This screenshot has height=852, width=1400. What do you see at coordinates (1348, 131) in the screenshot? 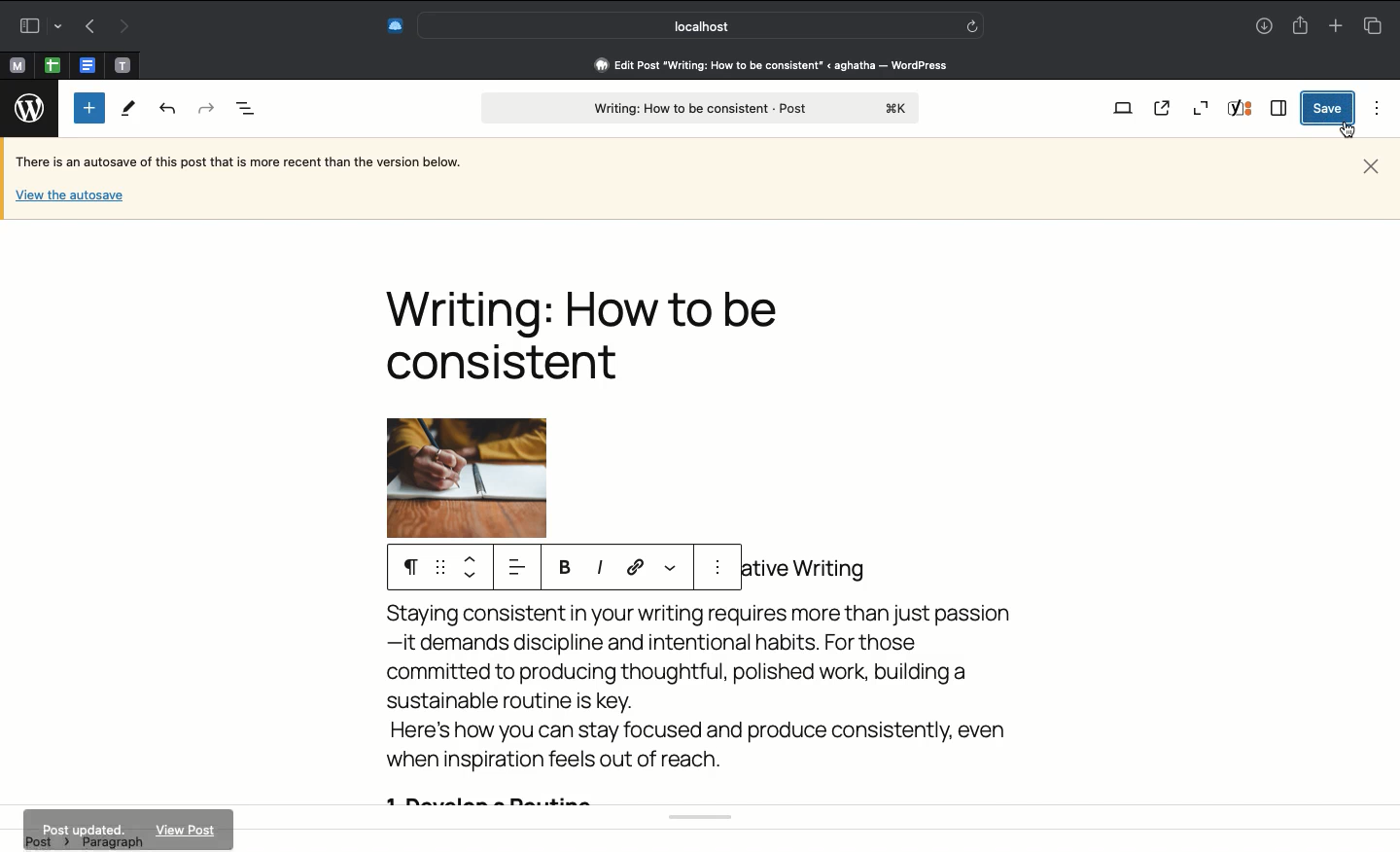
I see `cursor` at bounding box center [1348, 131].